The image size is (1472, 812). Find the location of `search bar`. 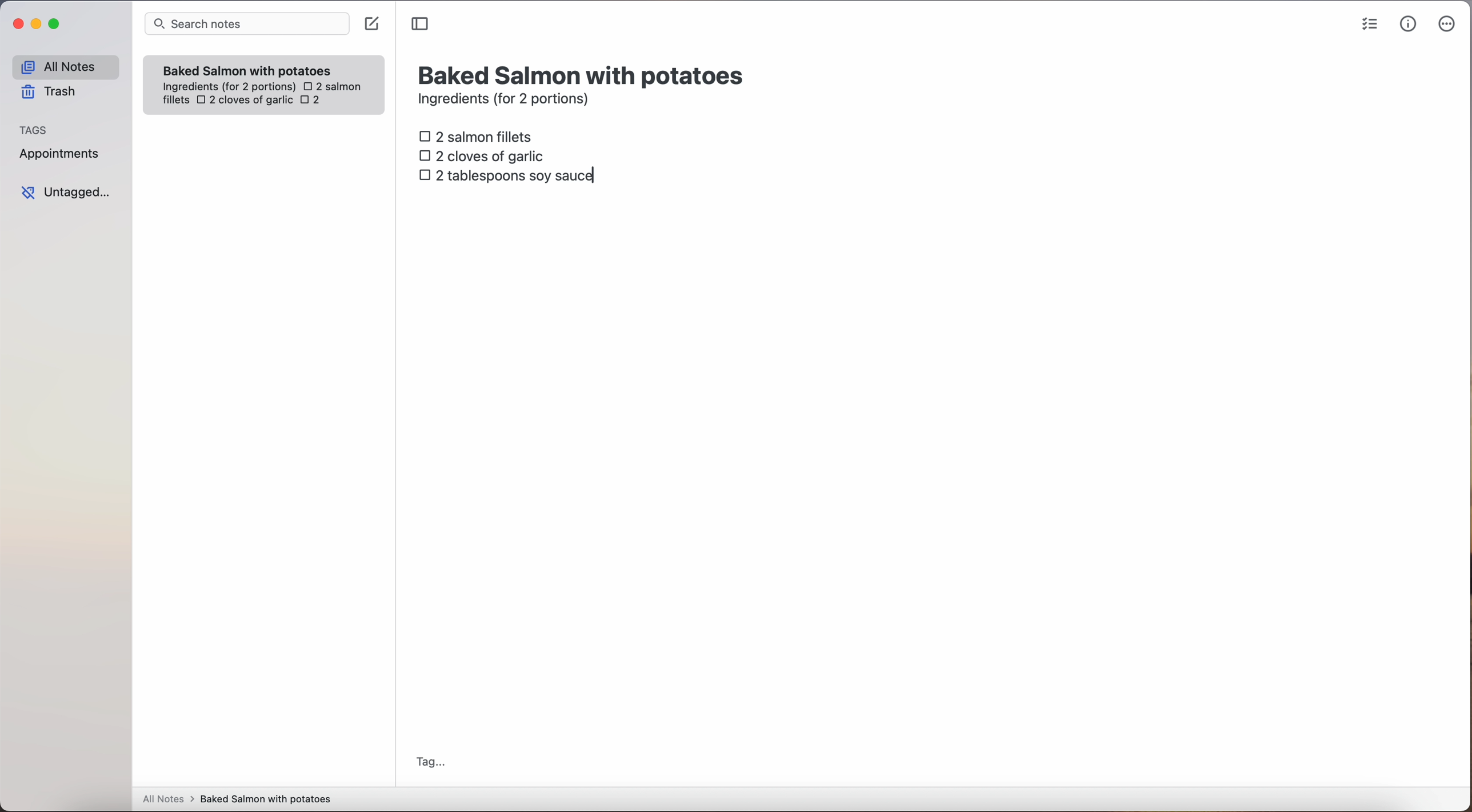

search bar is located at coordinates (246, 25).